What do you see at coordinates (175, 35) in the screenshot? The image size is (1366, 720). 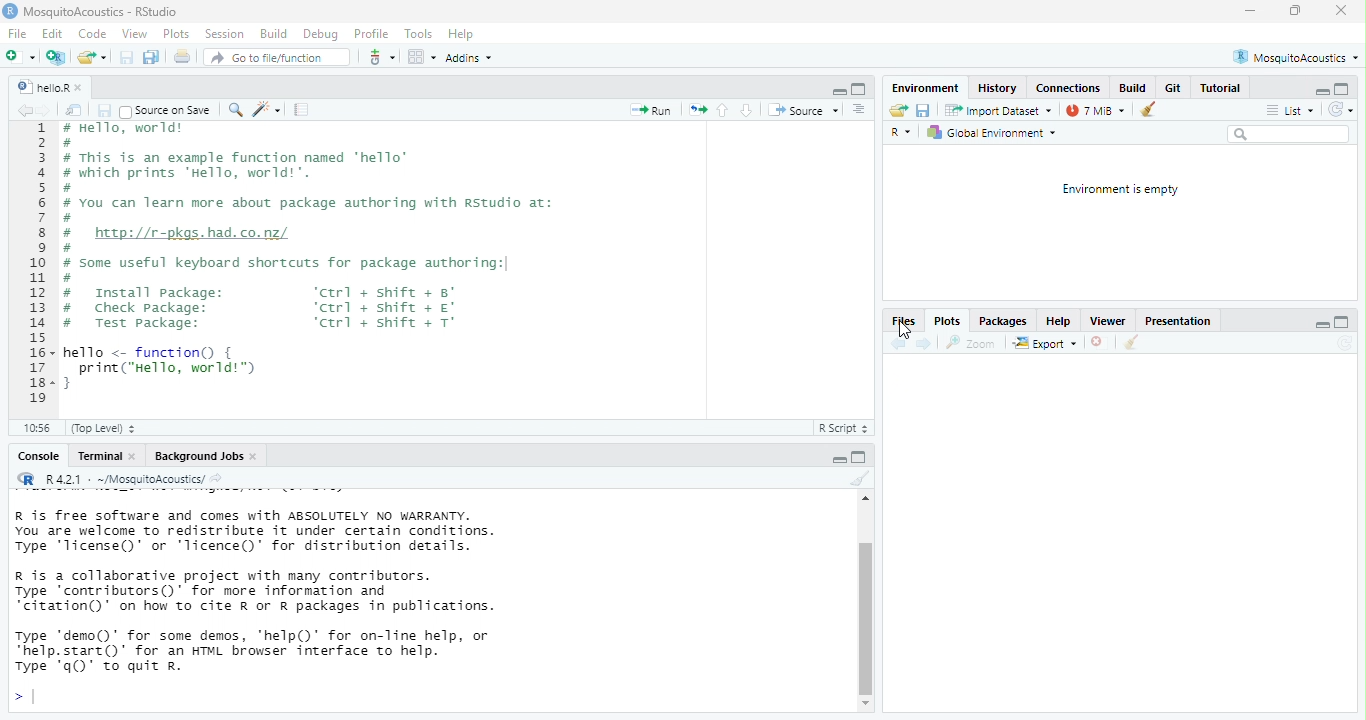 I see `Plots` at bounding box center [175, 35].